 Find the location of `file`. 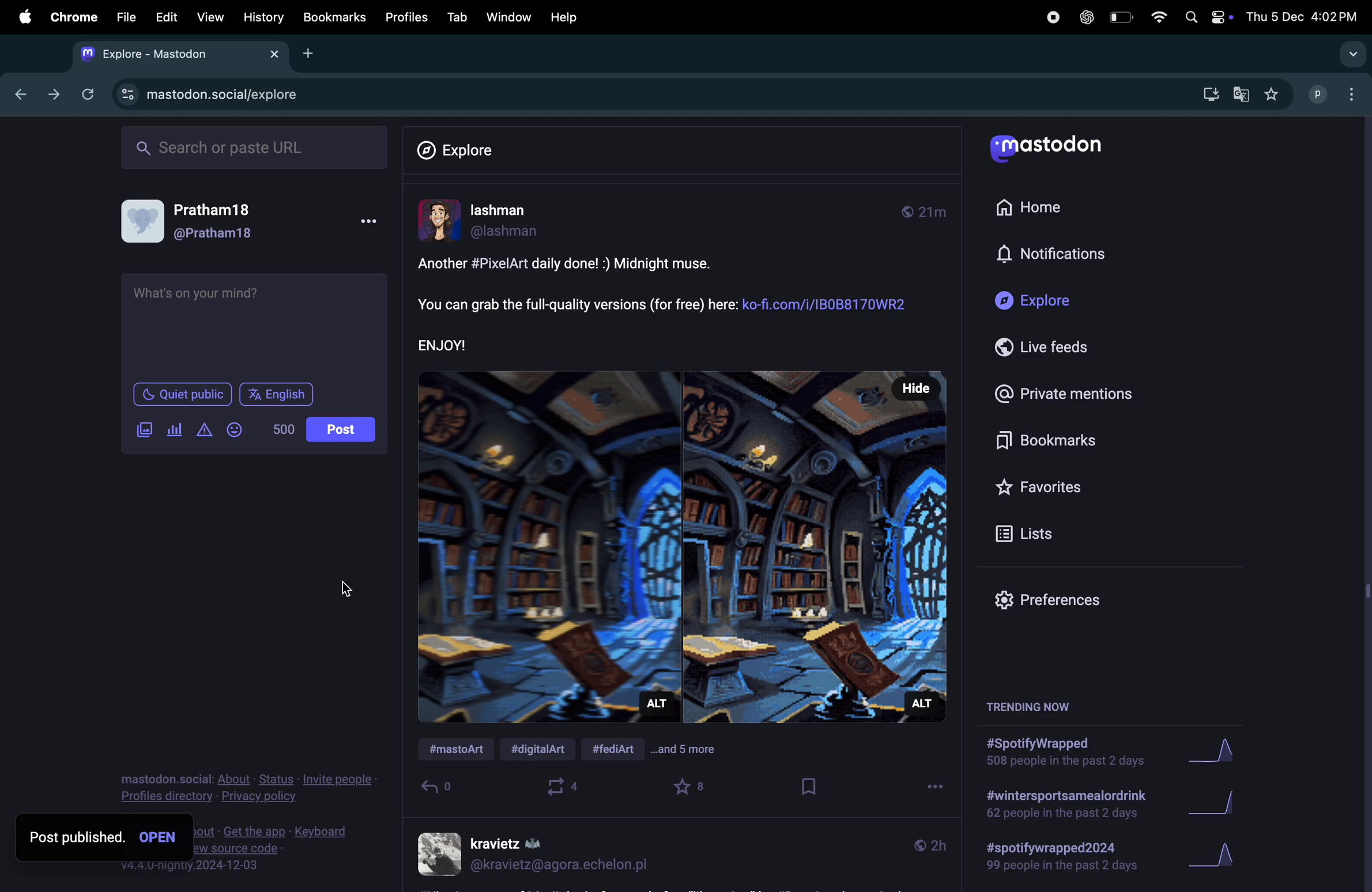

file is located at coordinates (129, 17).